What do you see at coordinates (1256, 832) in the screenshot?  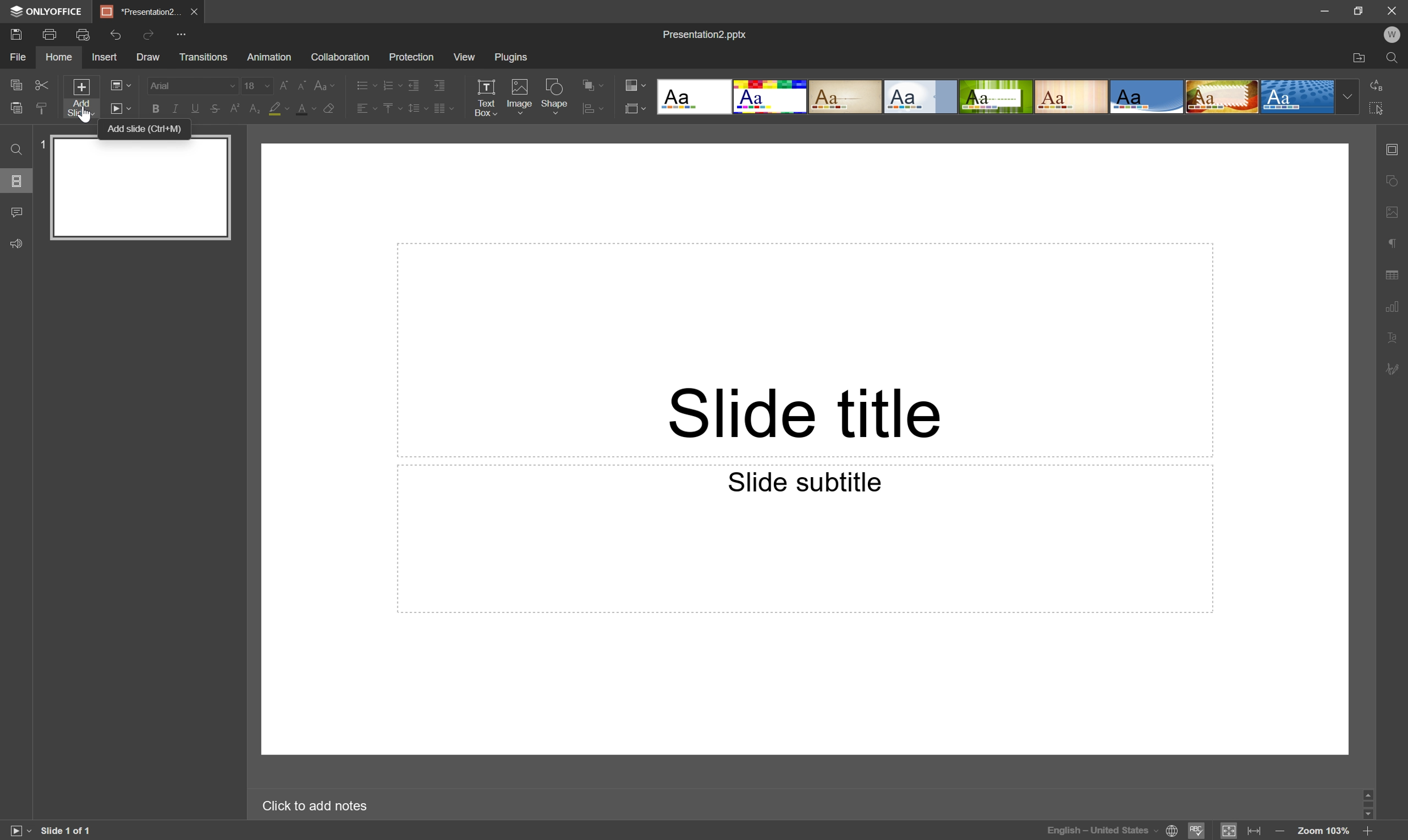 I see `Fit to width` at bounding box center [1256, 832].